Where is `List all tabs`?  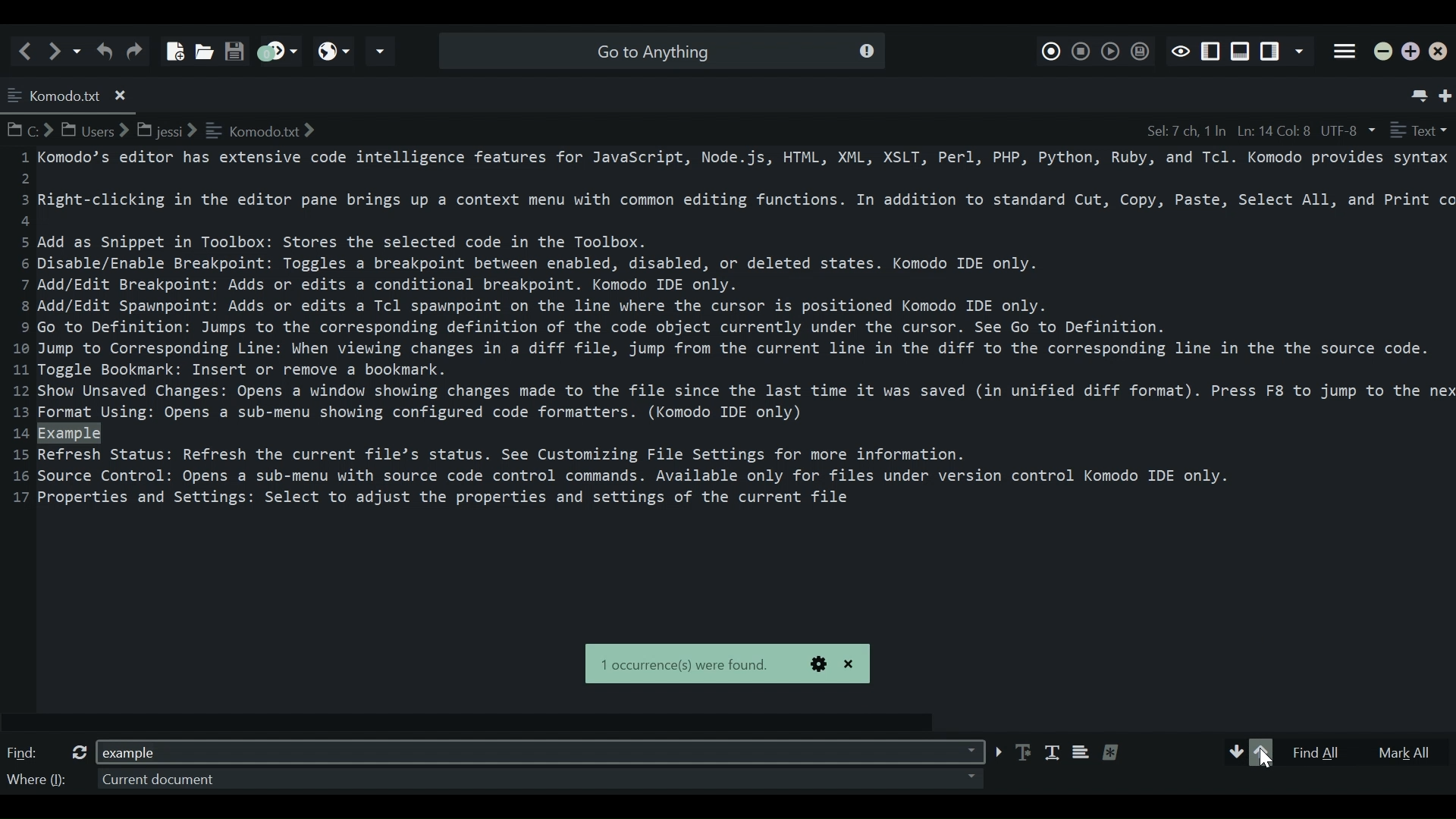 List all tabs is located at coordinates (1417, 92).